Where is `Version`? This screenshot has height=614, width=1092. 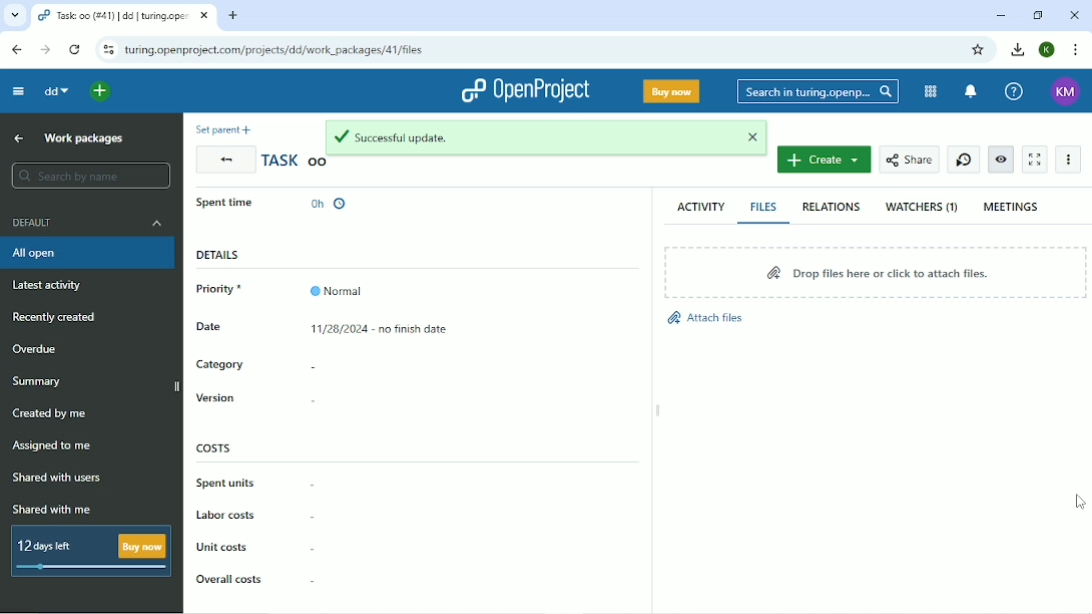 Version is located at coordinates (215, 398).